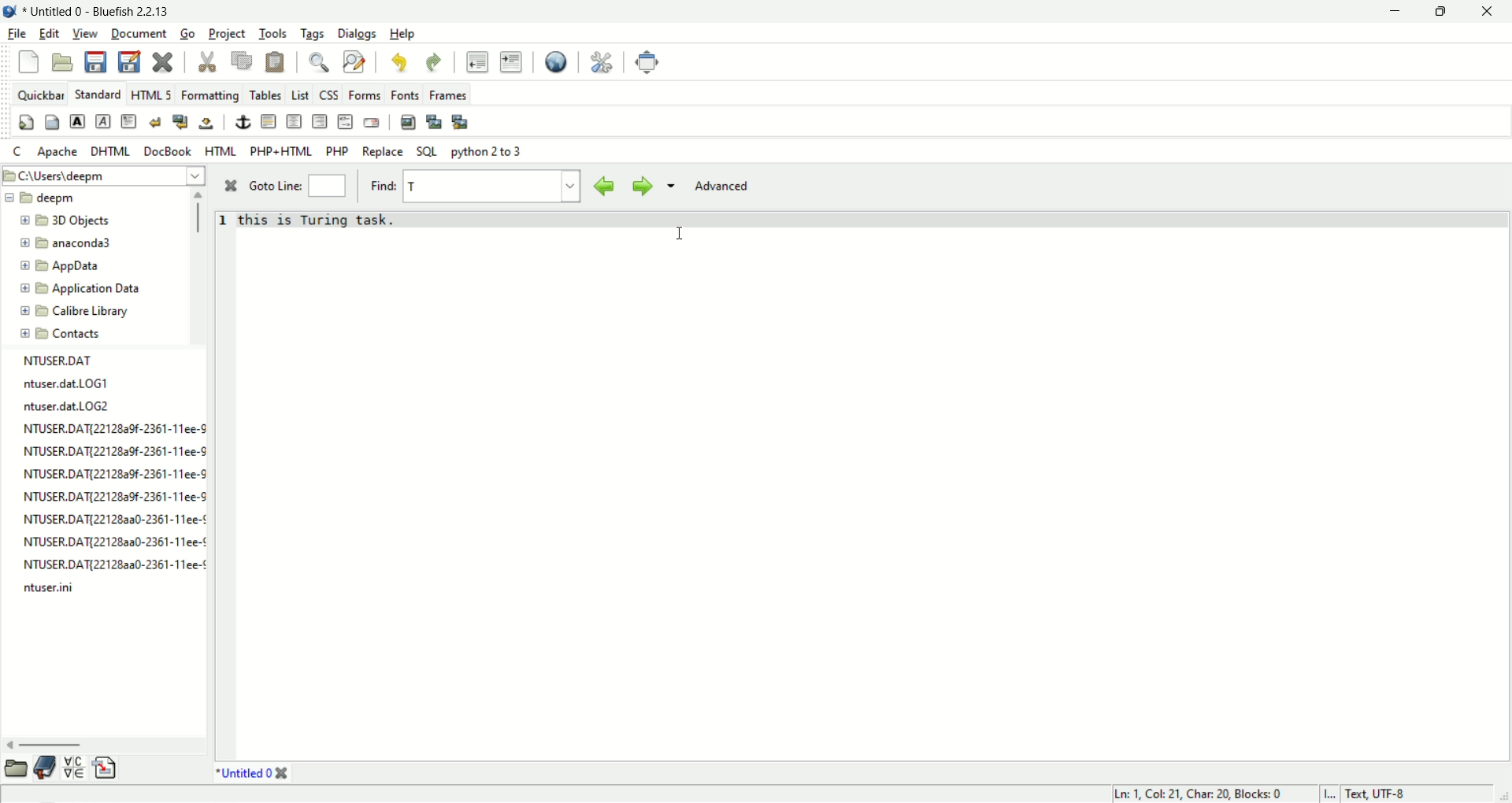 Image resolution: width=1512 pixels, height=803 pixels. Describe the element at coordinates (275, 63) in the screenshot. I see `paste` at that location.